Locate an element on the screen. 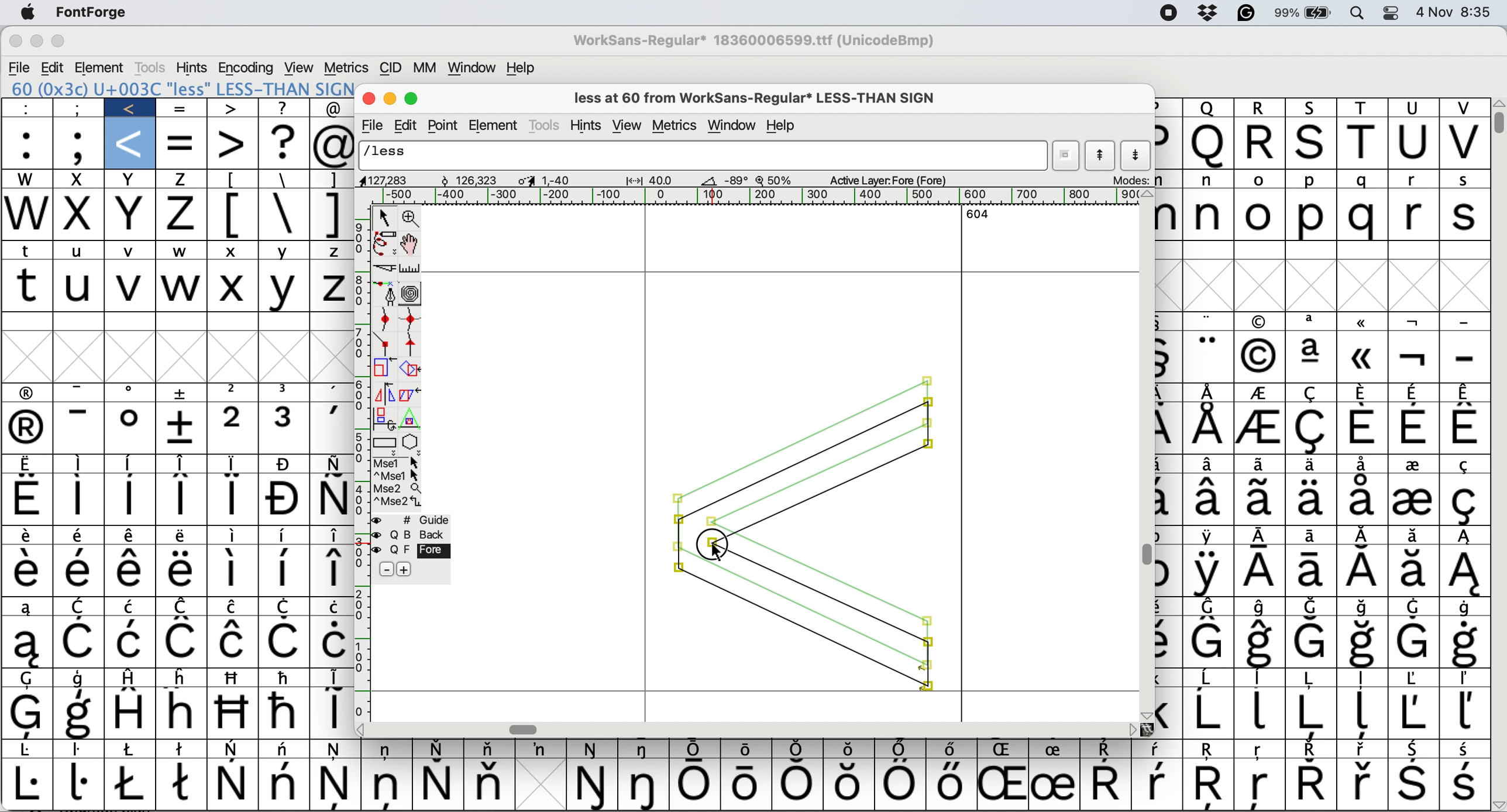  maximize is located at coordinates (412, 99).